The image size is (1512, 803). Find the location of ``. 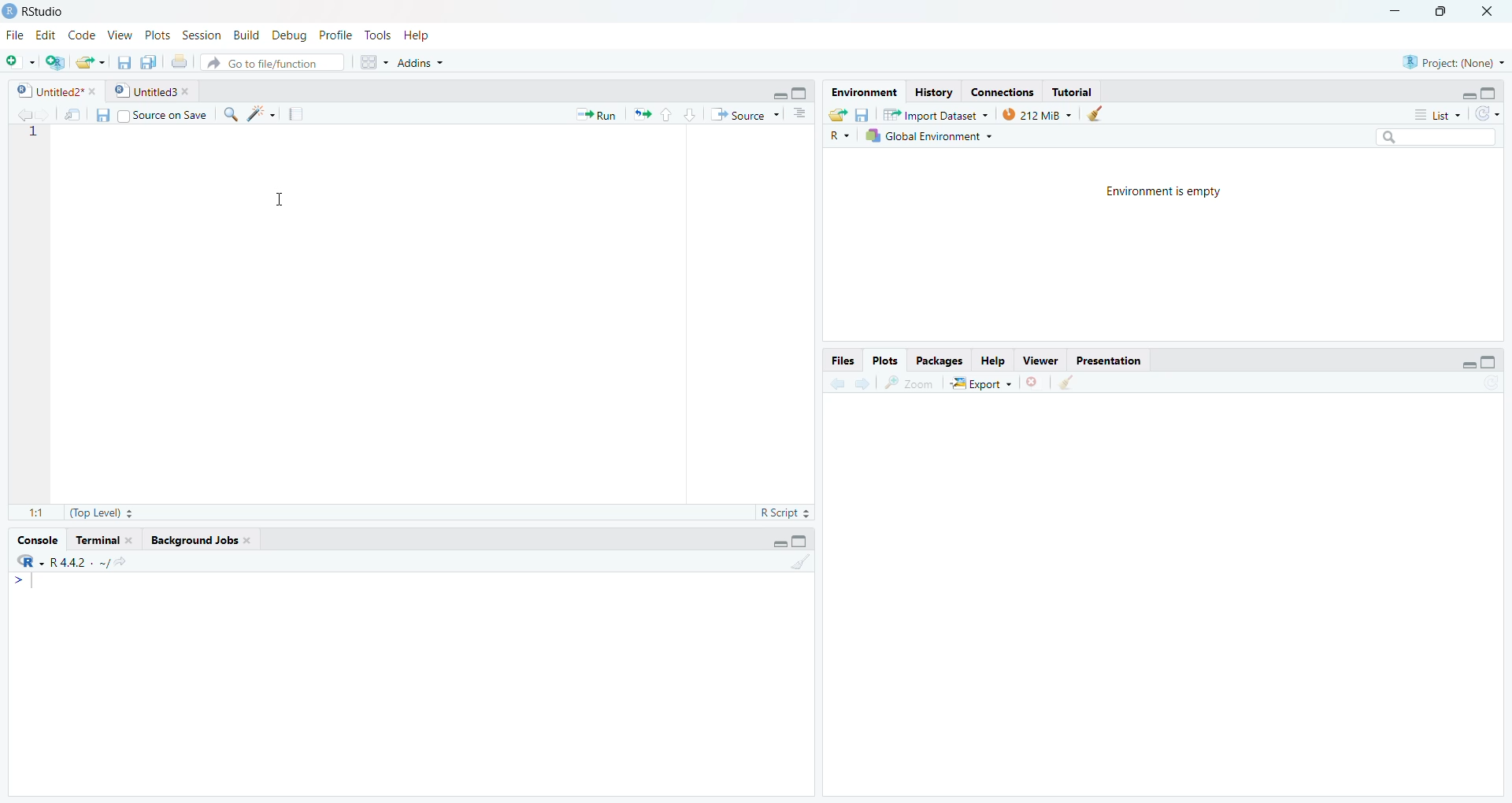

 is located at coordinates (802, 116).